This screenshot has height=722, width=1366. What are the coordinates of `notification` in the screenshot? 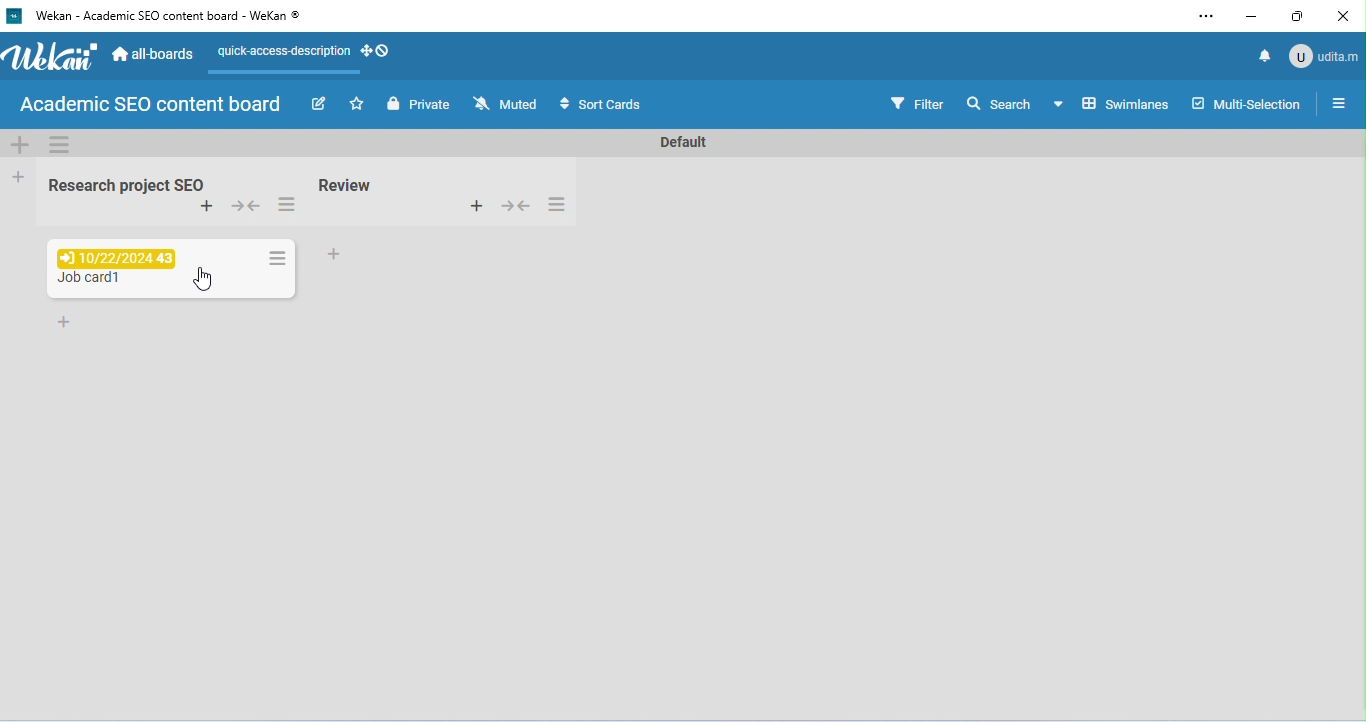 It's located at (1262, 55).